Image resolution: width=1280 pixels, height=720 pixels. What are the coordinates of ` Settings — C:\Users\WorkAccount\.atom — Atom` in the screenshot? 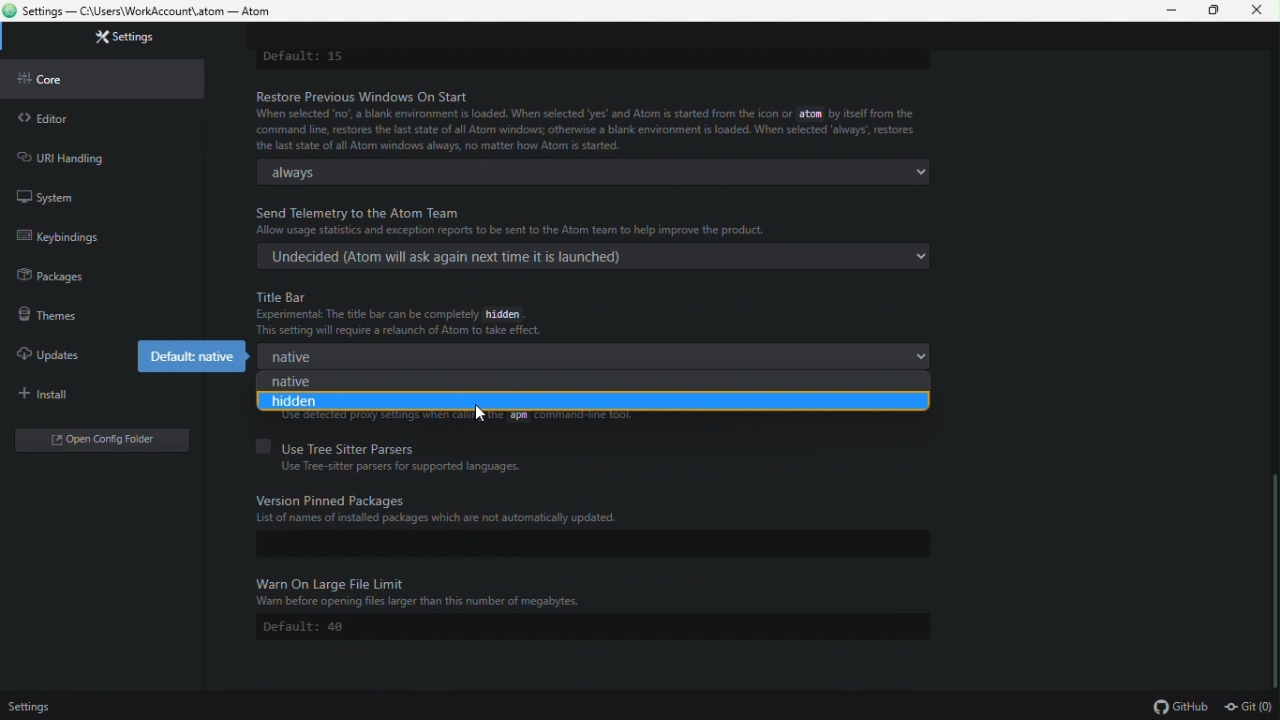 It's located at (150, 12).